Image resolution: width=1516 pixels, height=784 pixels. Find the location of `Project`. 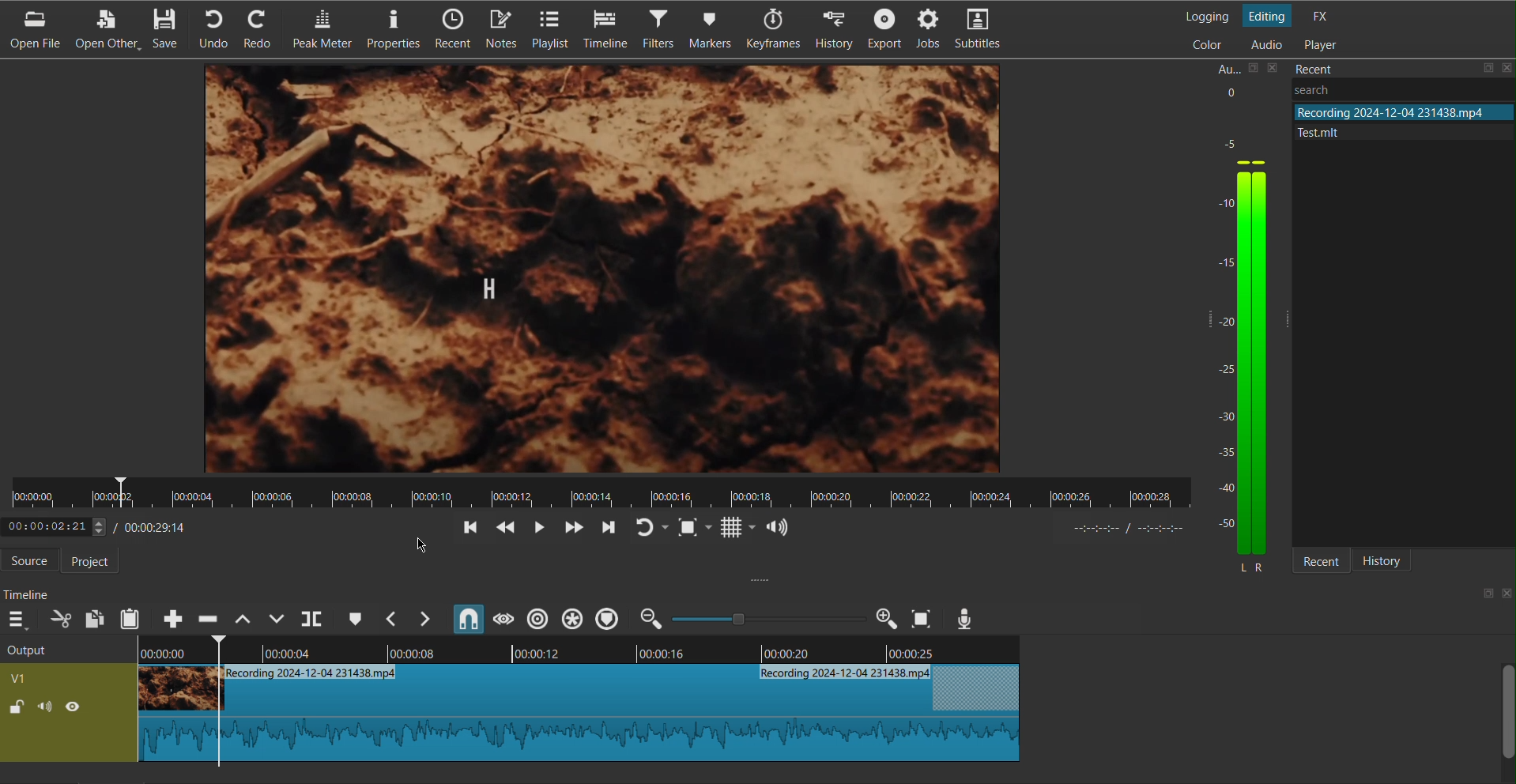

Project is located at coordinates (97, 562).